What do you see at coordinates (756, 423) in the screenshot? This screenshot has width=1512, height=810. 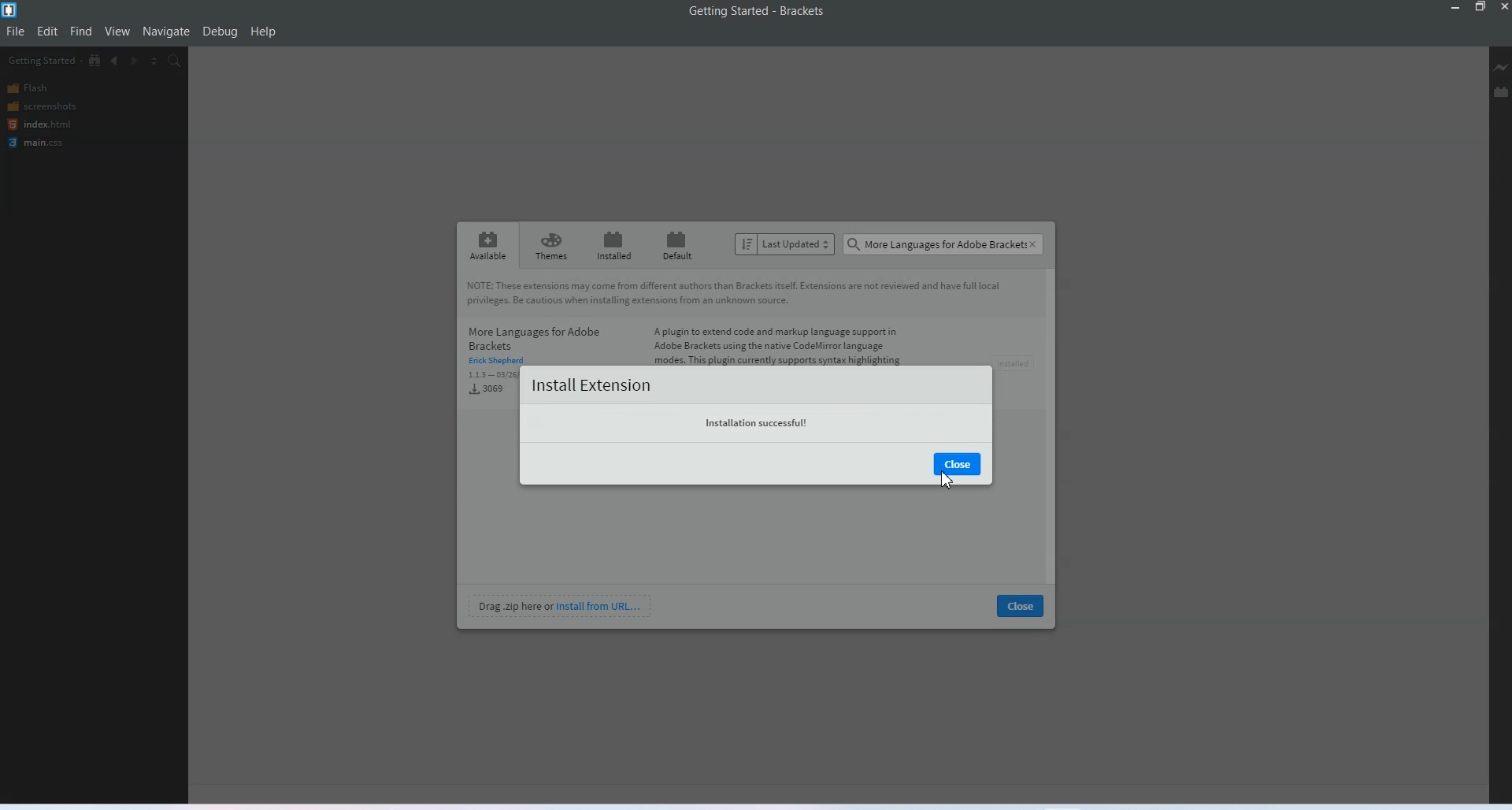 I see `Installation successful` at bounding box center [756, 423].